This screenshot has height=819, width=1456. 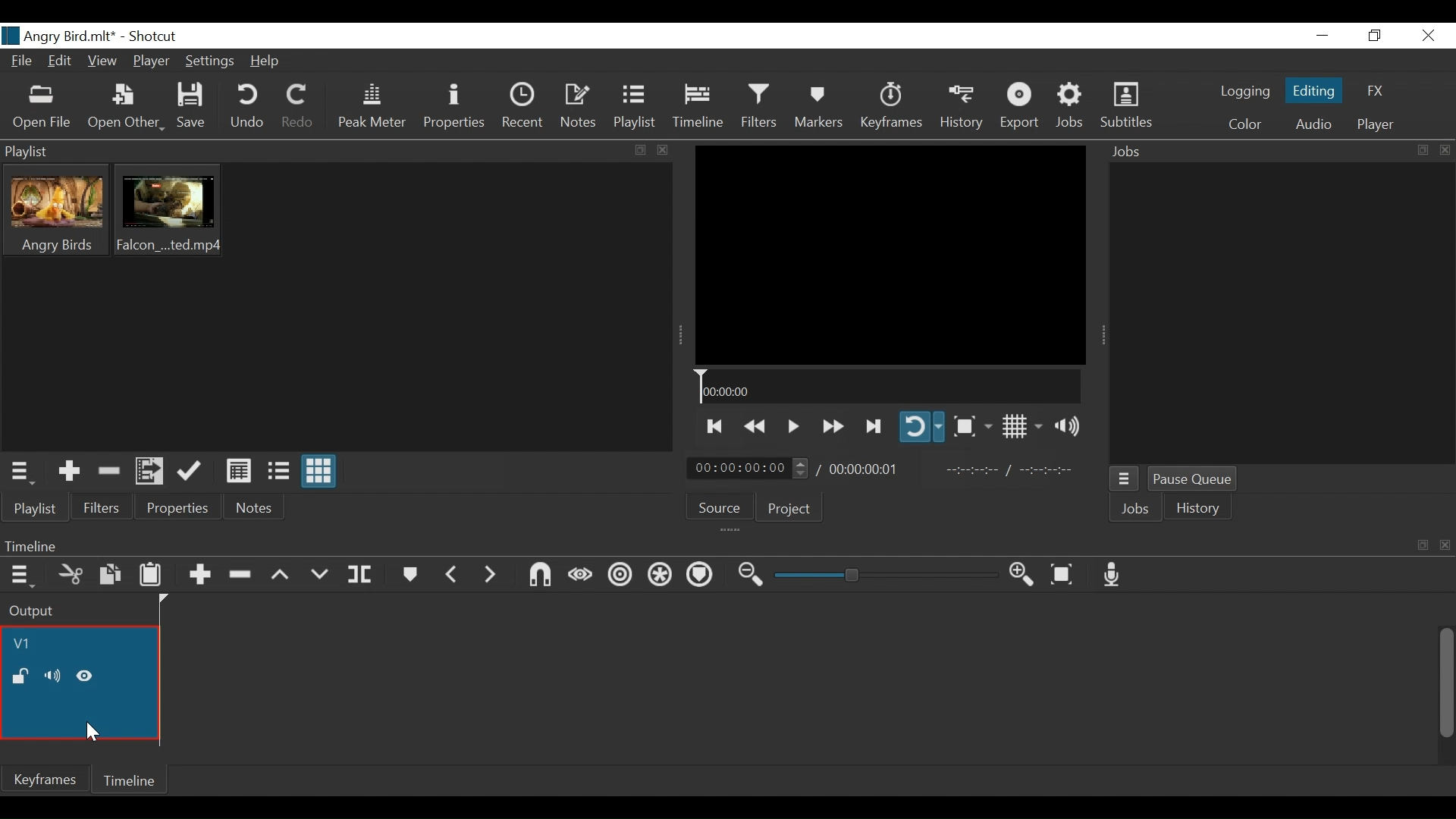 What do you see at coordinates (1135, 509) in the screenshot?
I see `Jobs` at bounding box center [1135, 509].